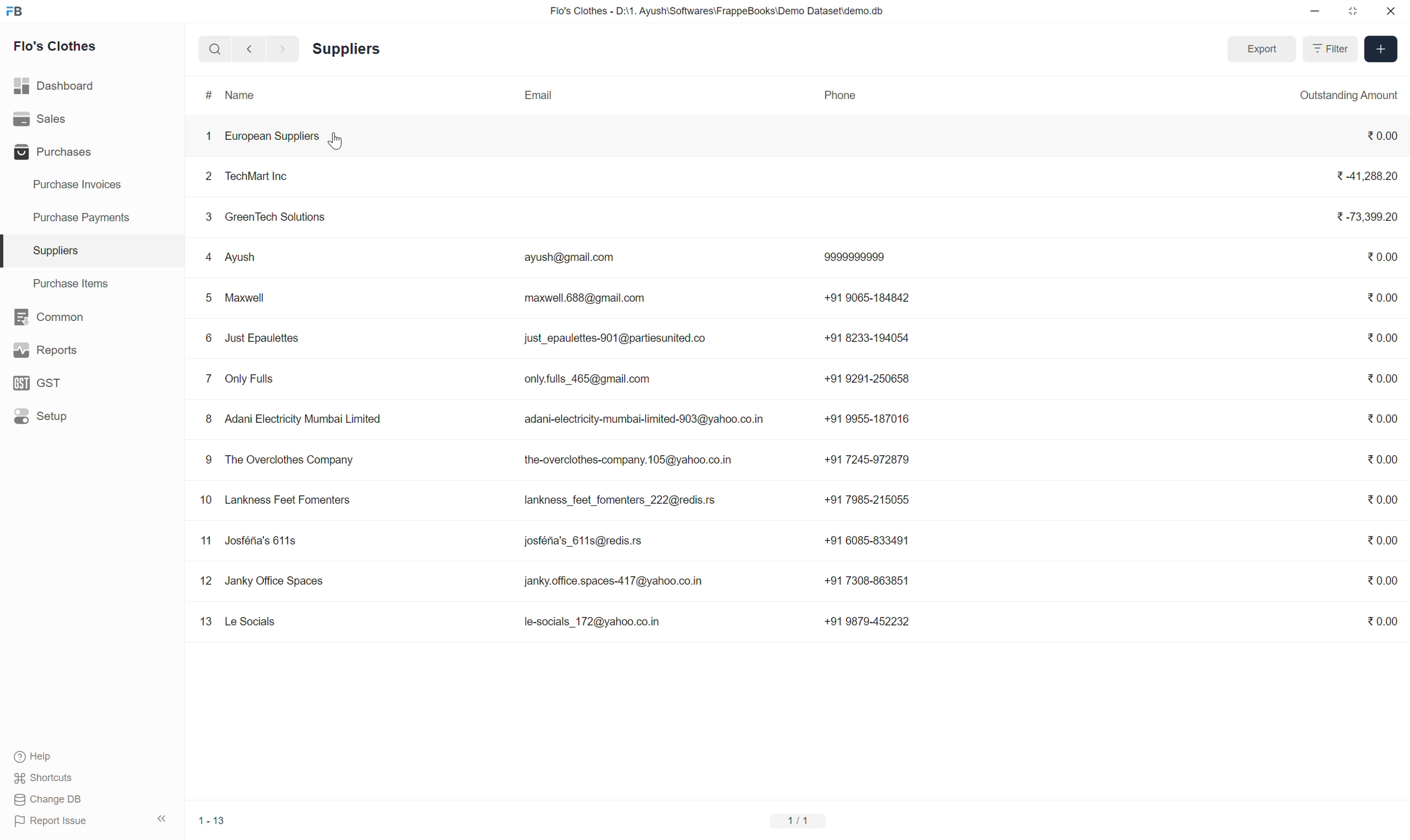 Image resolution: width=1410 pixels, height=840 pixels. What do you see at coordinates (67, 283) in the screenshot?
I see `Purchase Items` at bounding box center [67, 283].